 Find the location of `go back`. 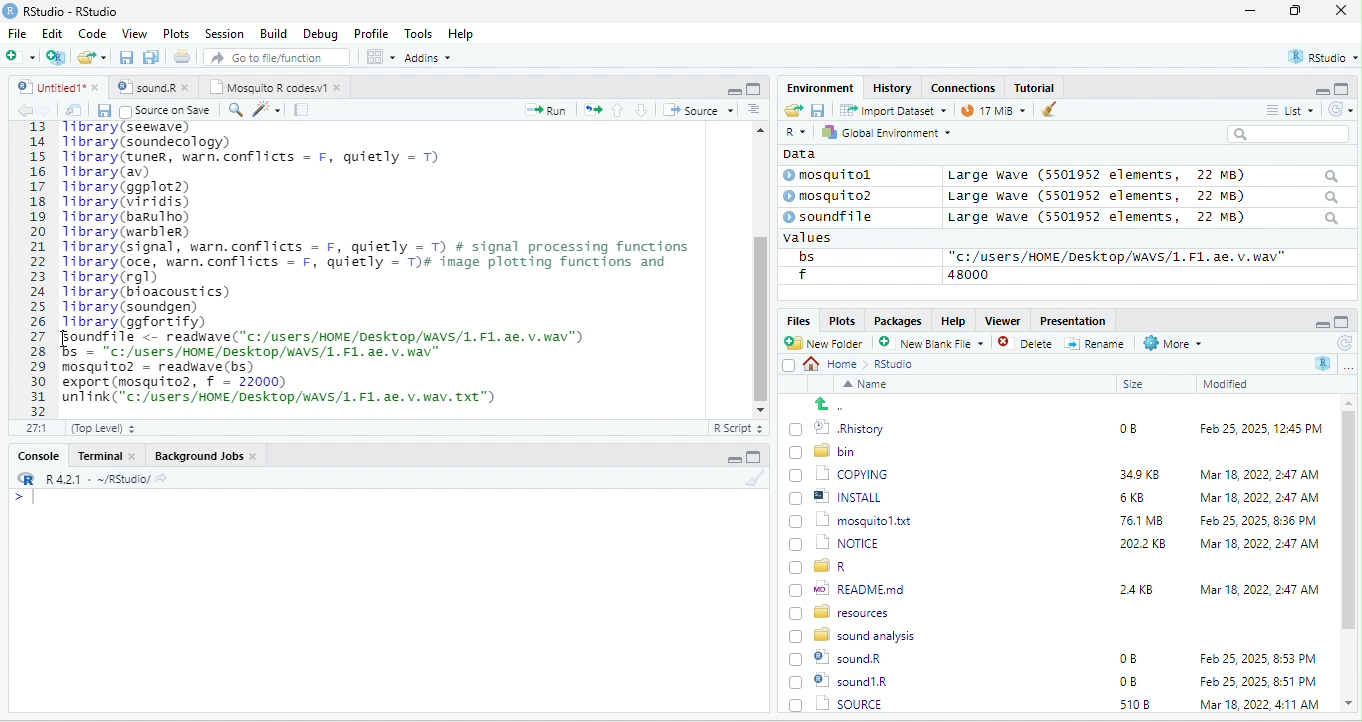

go back is located at coordinates (837, 404).